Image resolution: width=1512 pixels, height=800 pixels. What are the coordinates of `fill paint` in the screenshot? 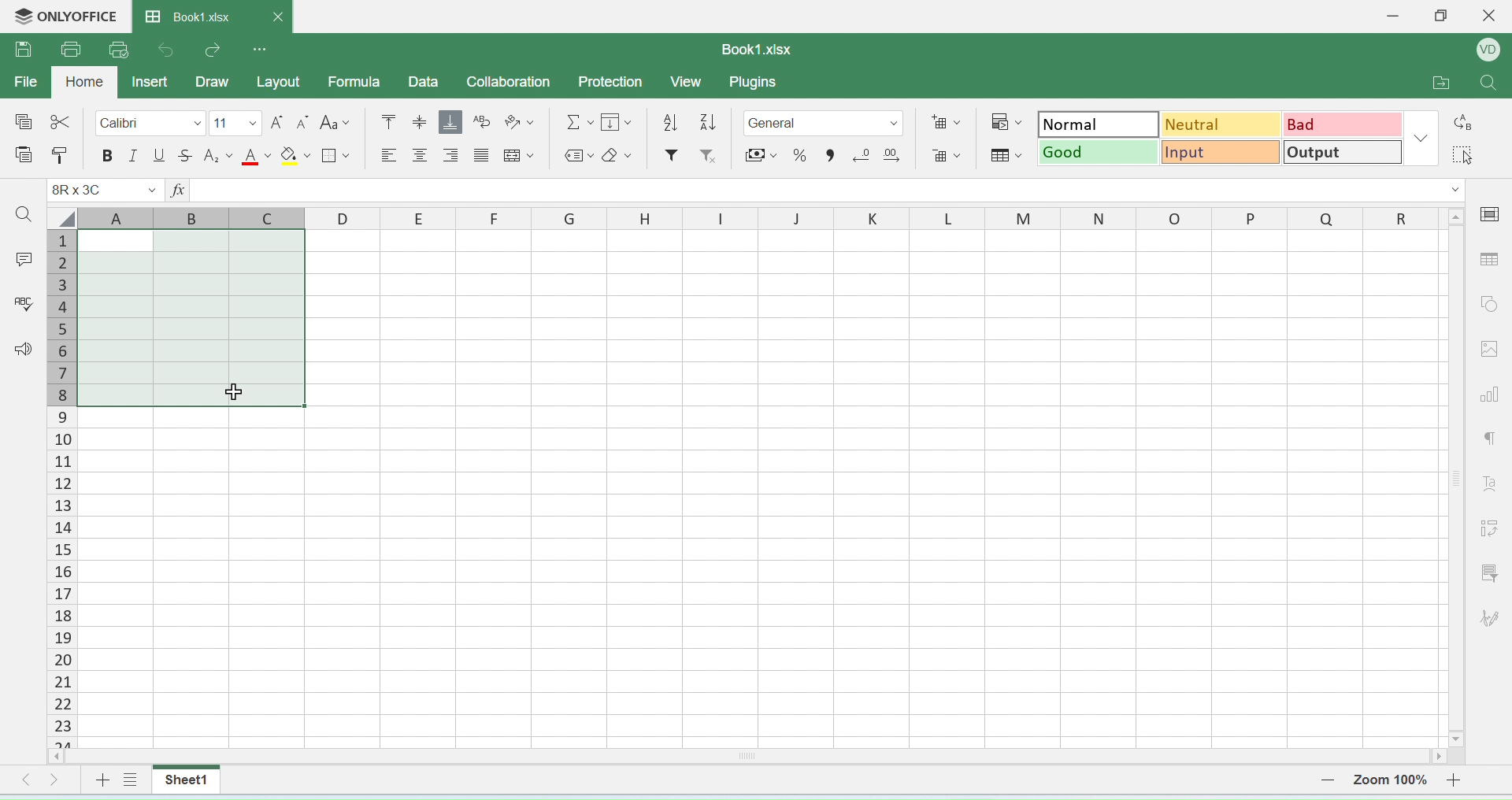 It's located at (297, 154).